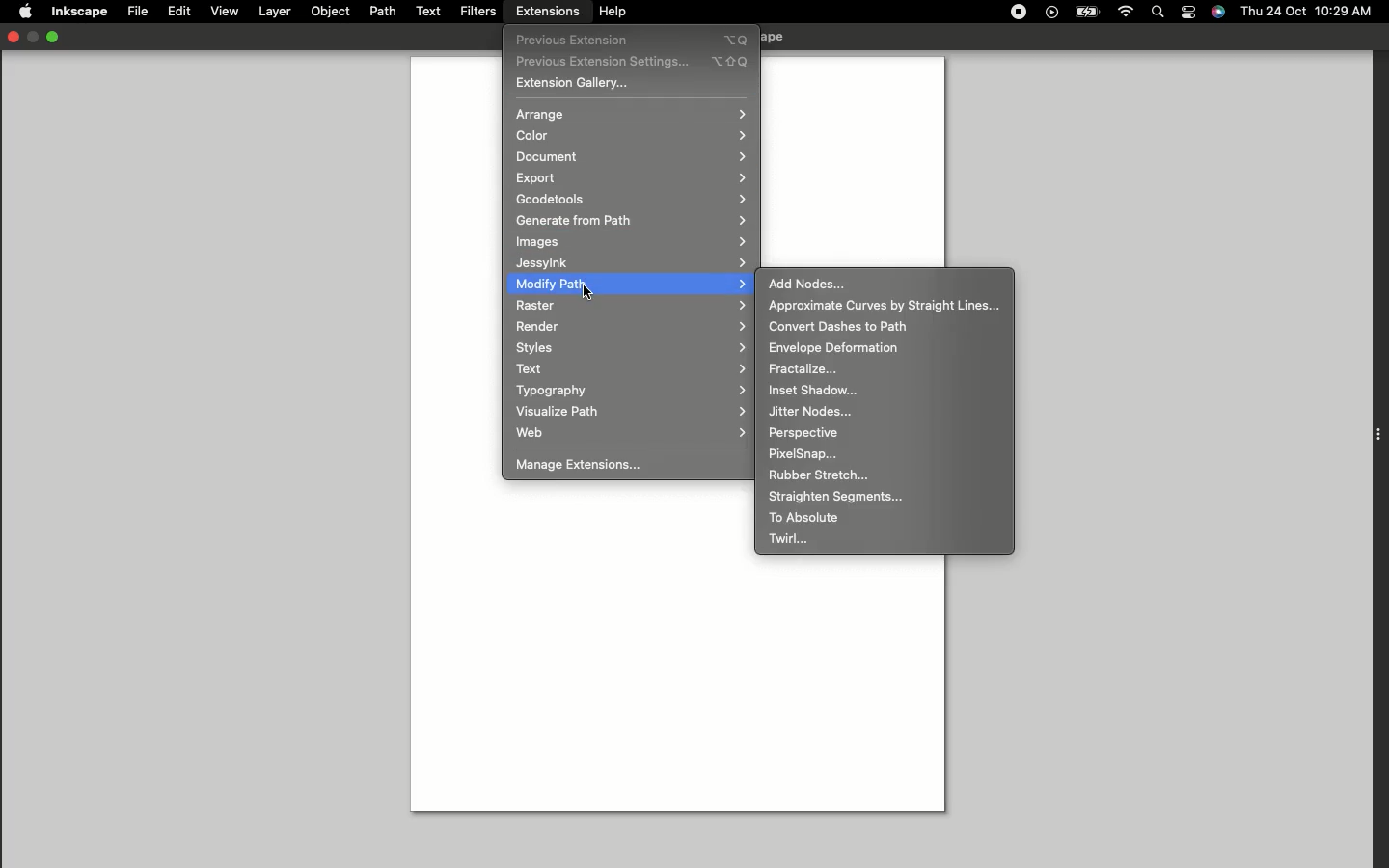 This screenshot has height=868, width=1389. I want to click on Close, so click(15, 39).